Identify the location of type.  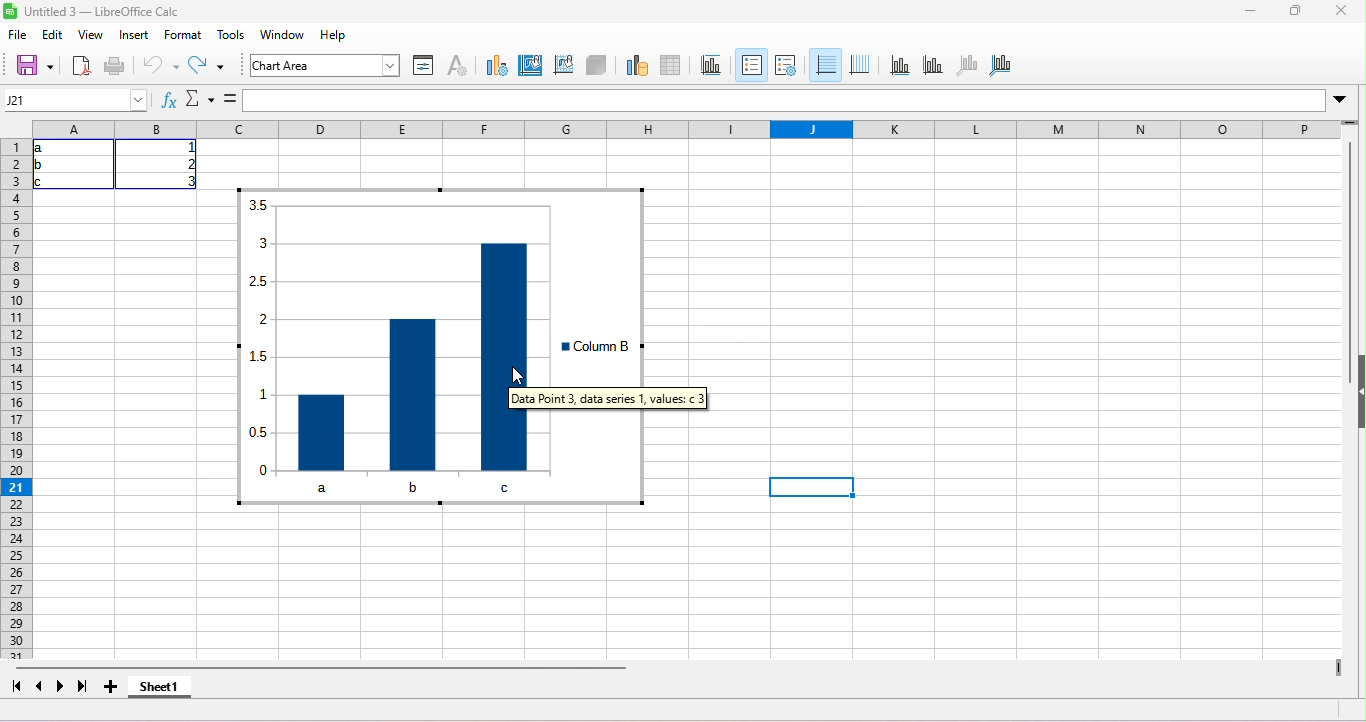
(499, 69).